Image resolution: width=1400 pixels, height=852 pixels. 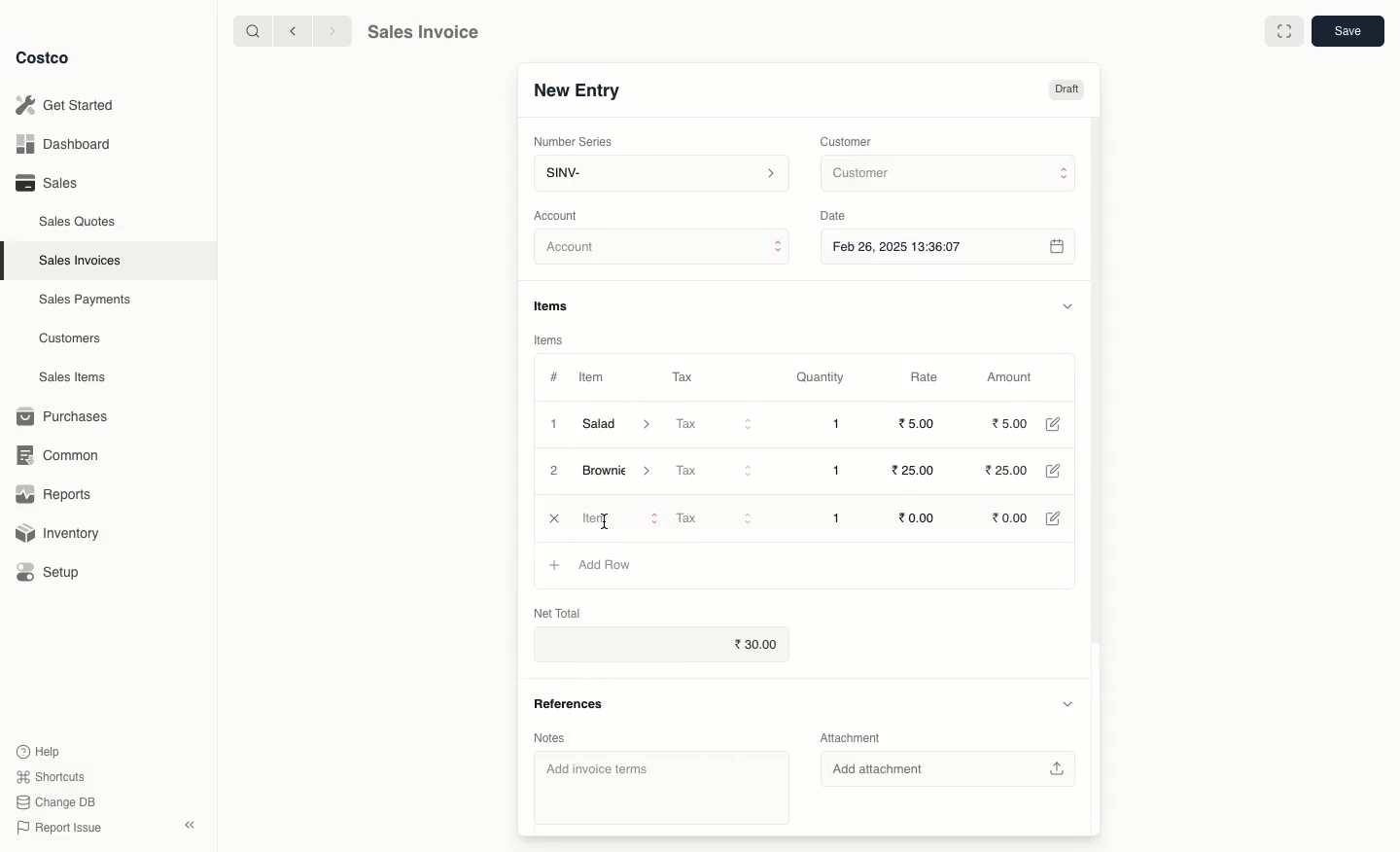 What do you see at coordinates (558, 305) in the screenshot?
I see `Items` at bounding box center [558, 305].